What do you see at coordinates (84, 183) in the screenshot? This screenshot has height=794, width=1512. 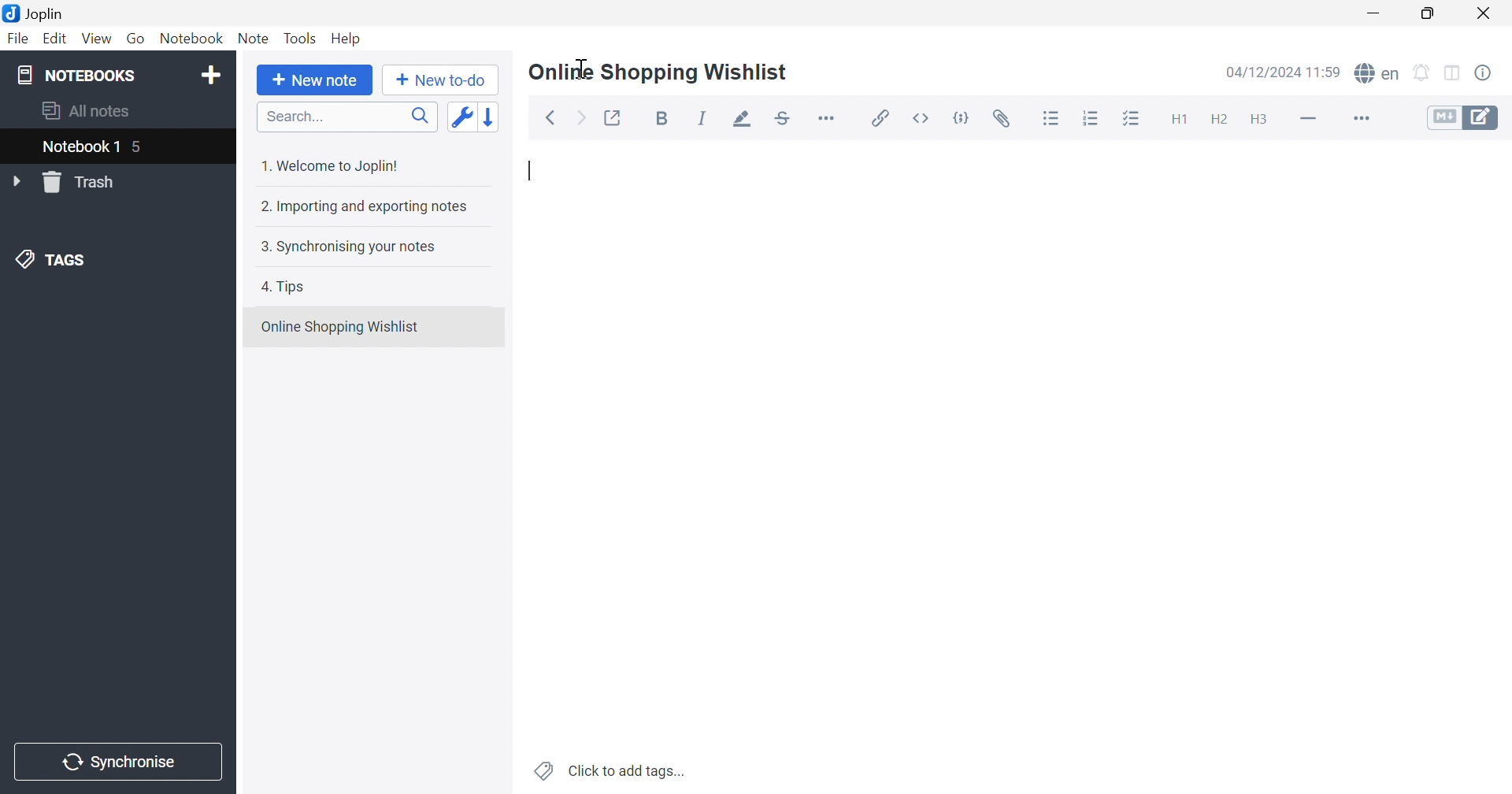 I see `Trash` at bounding box center [84, 183].